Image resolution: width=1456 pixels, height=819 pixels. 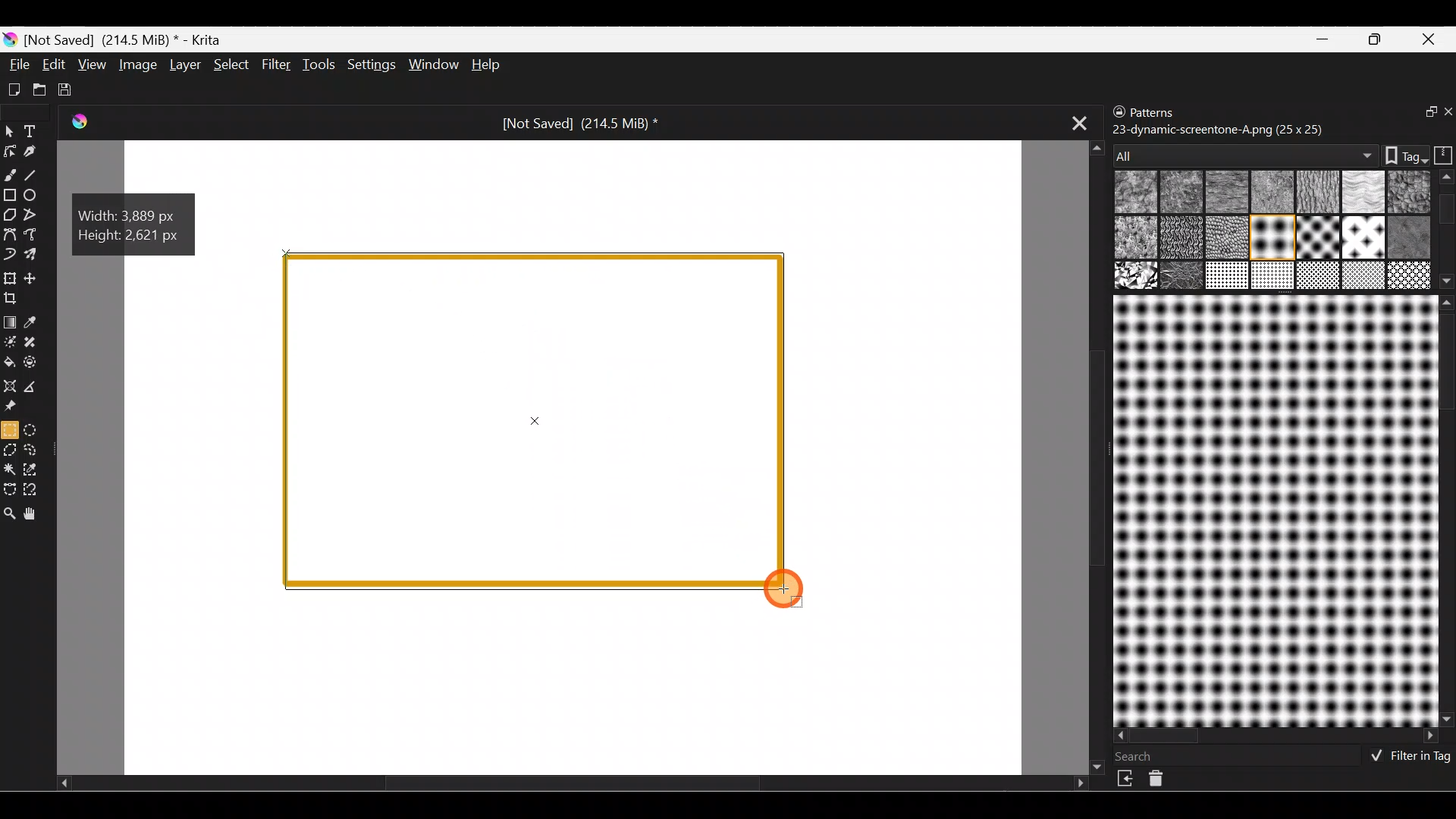 What do you see at coordinates (1441, 154) in the screenshot?
I see `Storage resources` at bounding box center [1441, 154].